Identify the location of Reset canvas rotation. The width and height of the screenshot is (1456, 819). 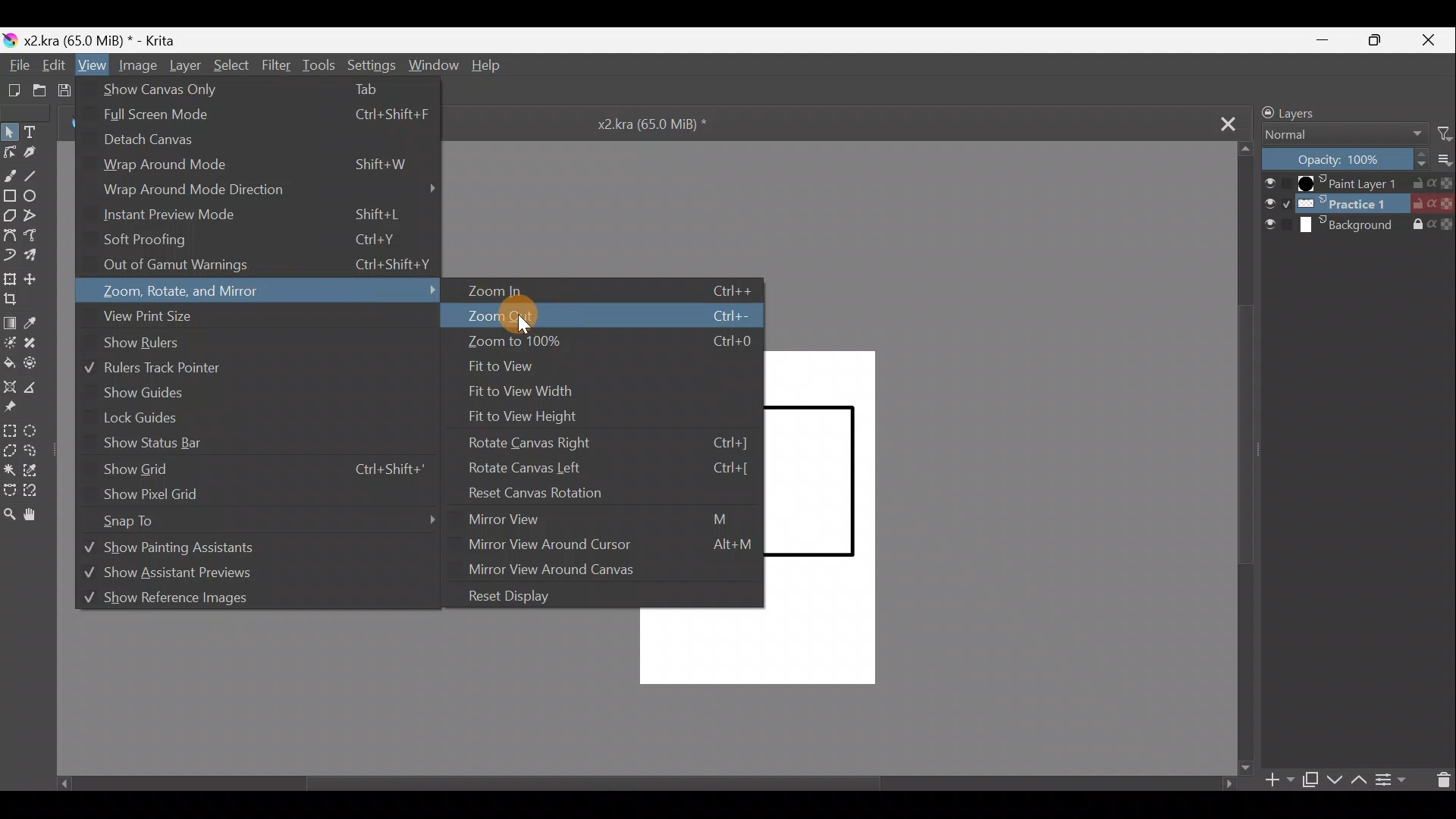
(604, 493).